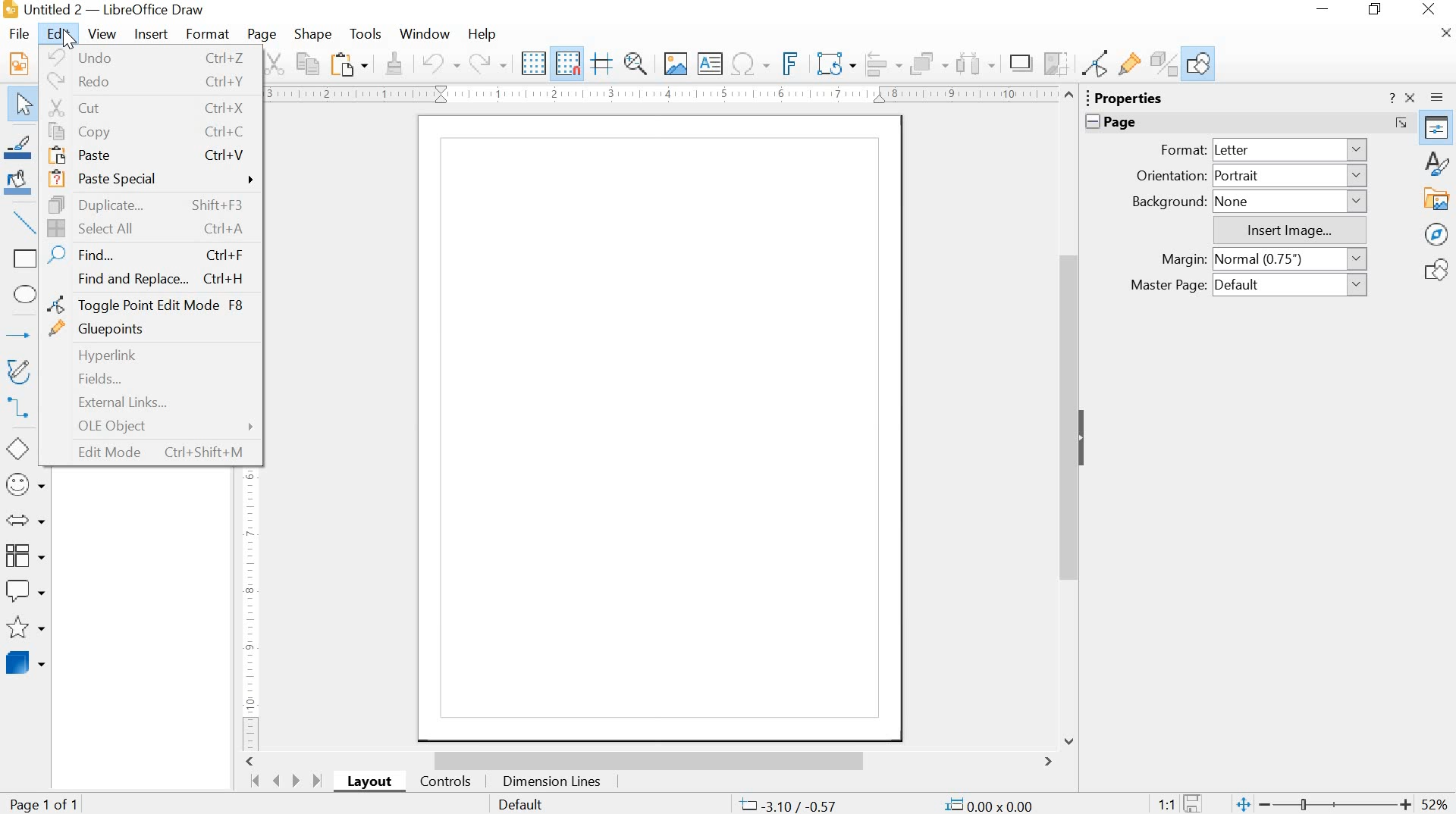  Describe the element at coordinates (974, 61) in the screenshot. I see `Select at least three objects to distribute` at that location.